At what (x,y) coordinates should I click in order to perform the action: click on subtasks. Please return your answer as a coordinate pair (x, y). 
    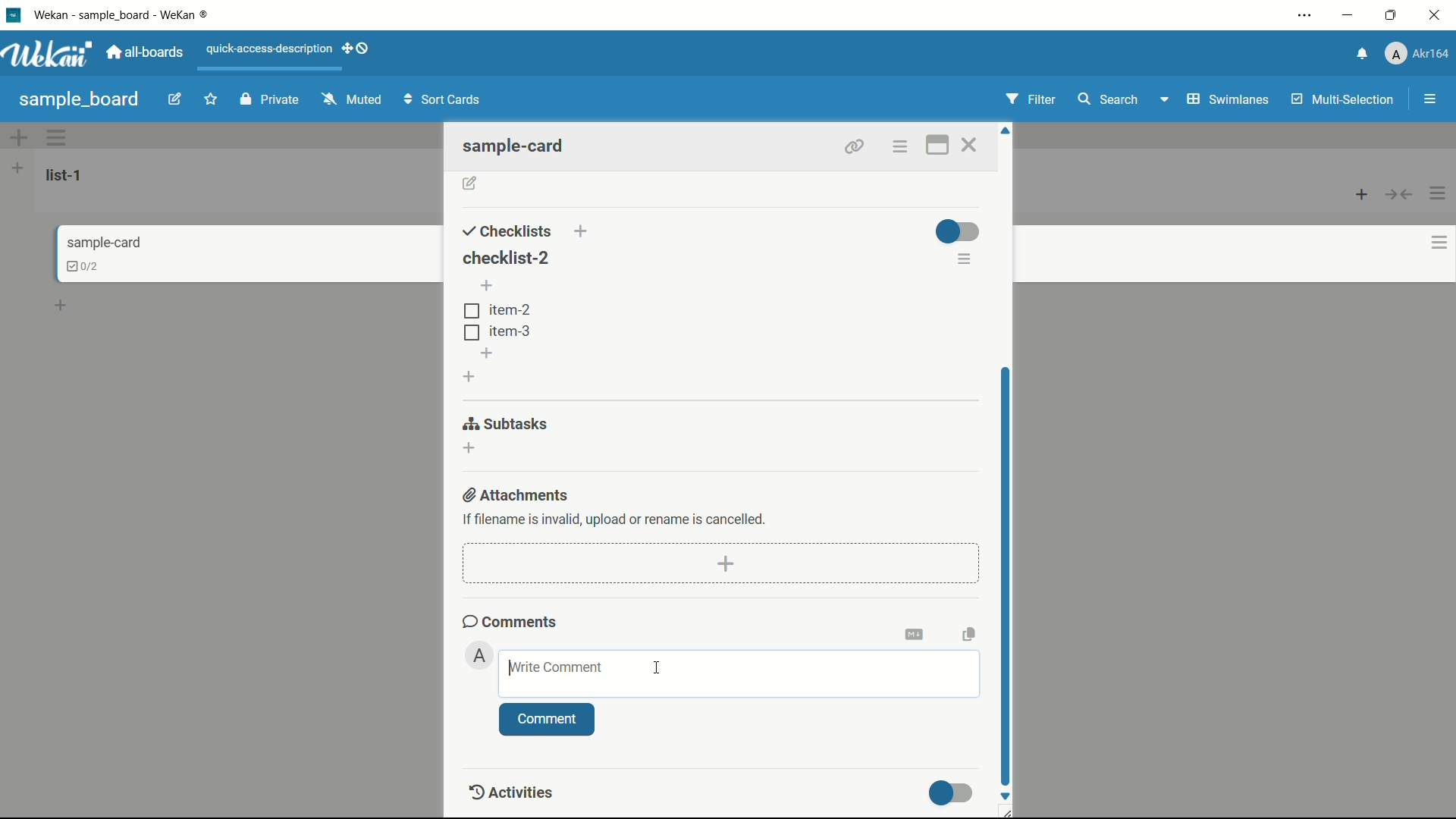
    Looking at the image, I should click on (507, 423).